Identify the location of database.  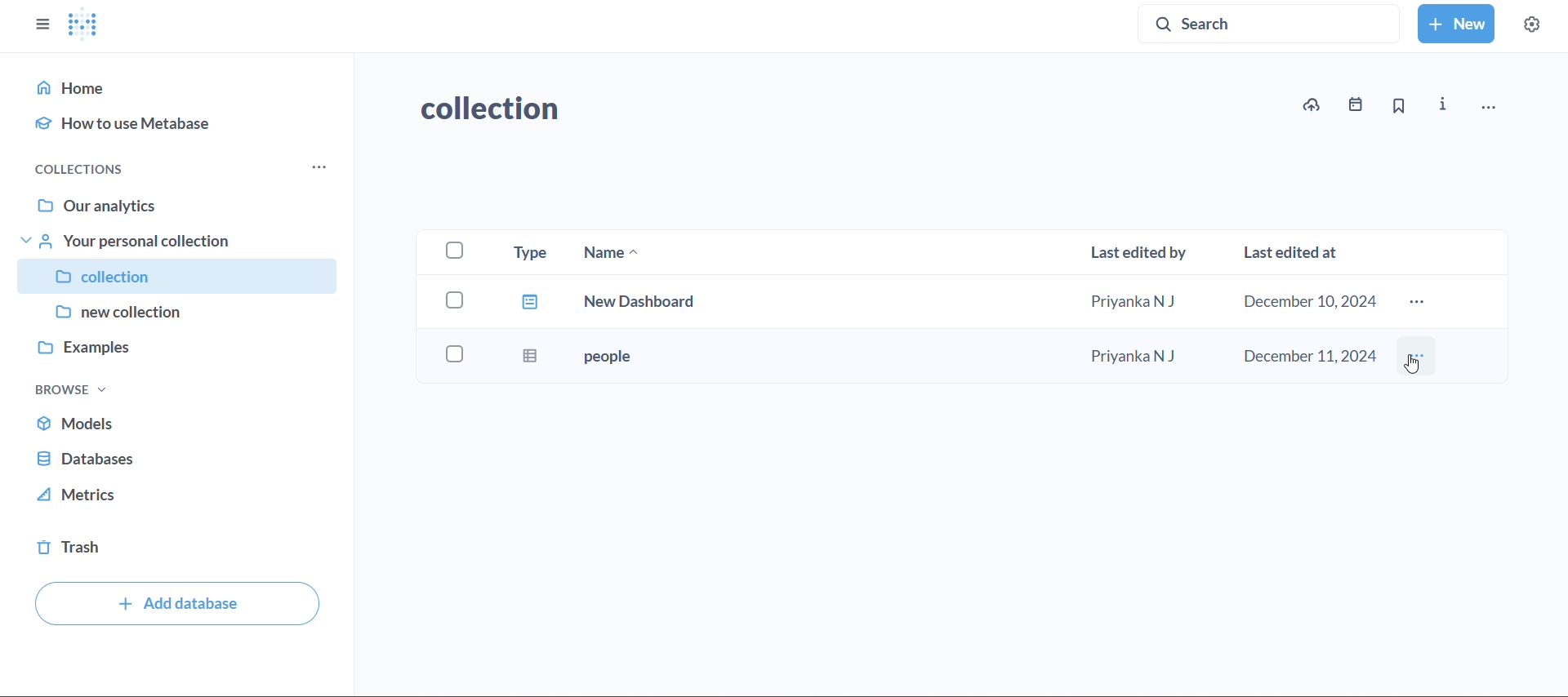
(182, 460).